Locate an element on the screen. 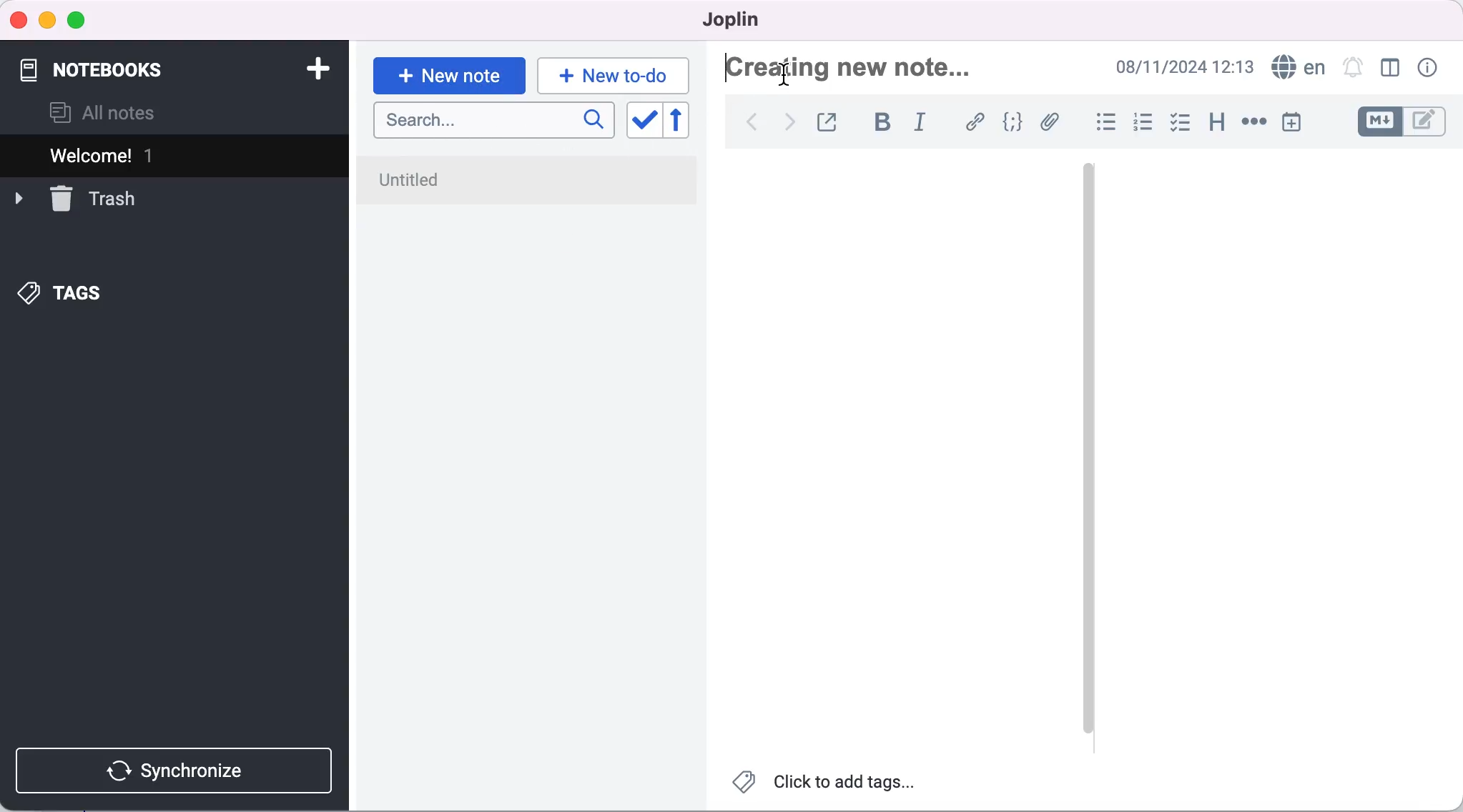 The height and width of the screenshot is (812, 1463). bold is located at coordinates (888, 124).